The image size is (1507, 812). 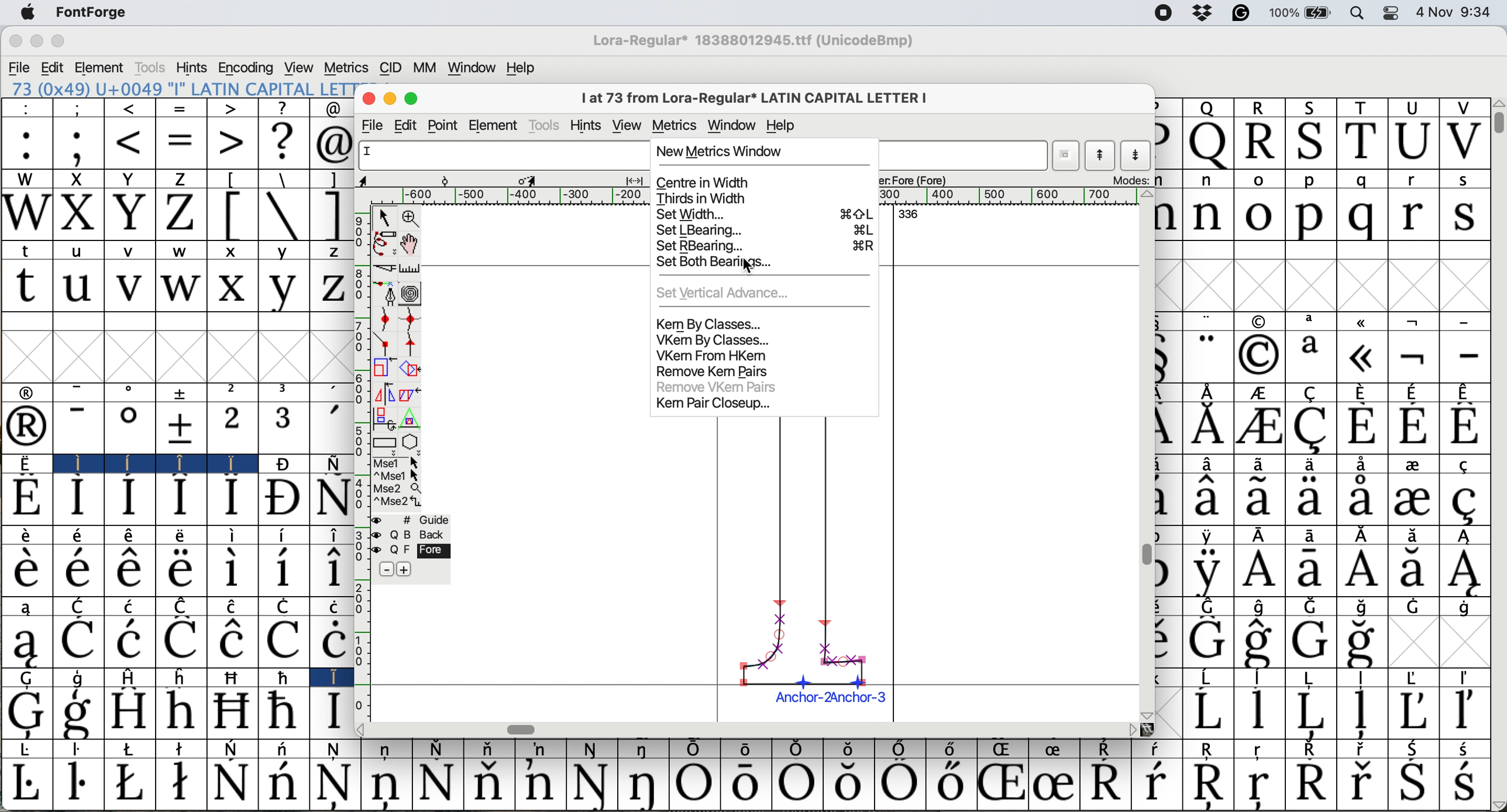 What do you see at coordinates (389, 67) in the screenshot?
I see `cid` at bounding box center [389, 67].